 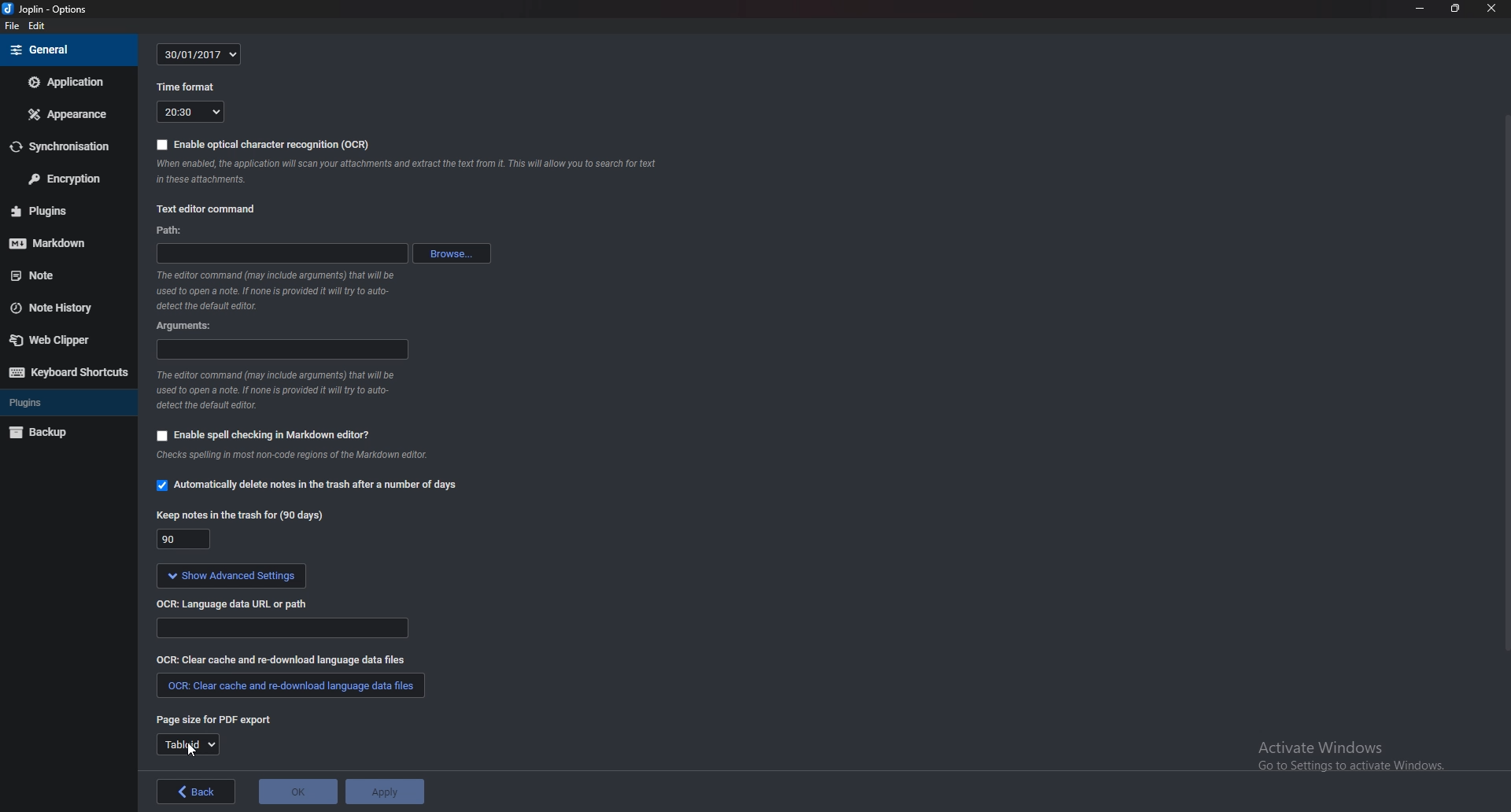 I want to click on Application, so click(x=68, y=83).